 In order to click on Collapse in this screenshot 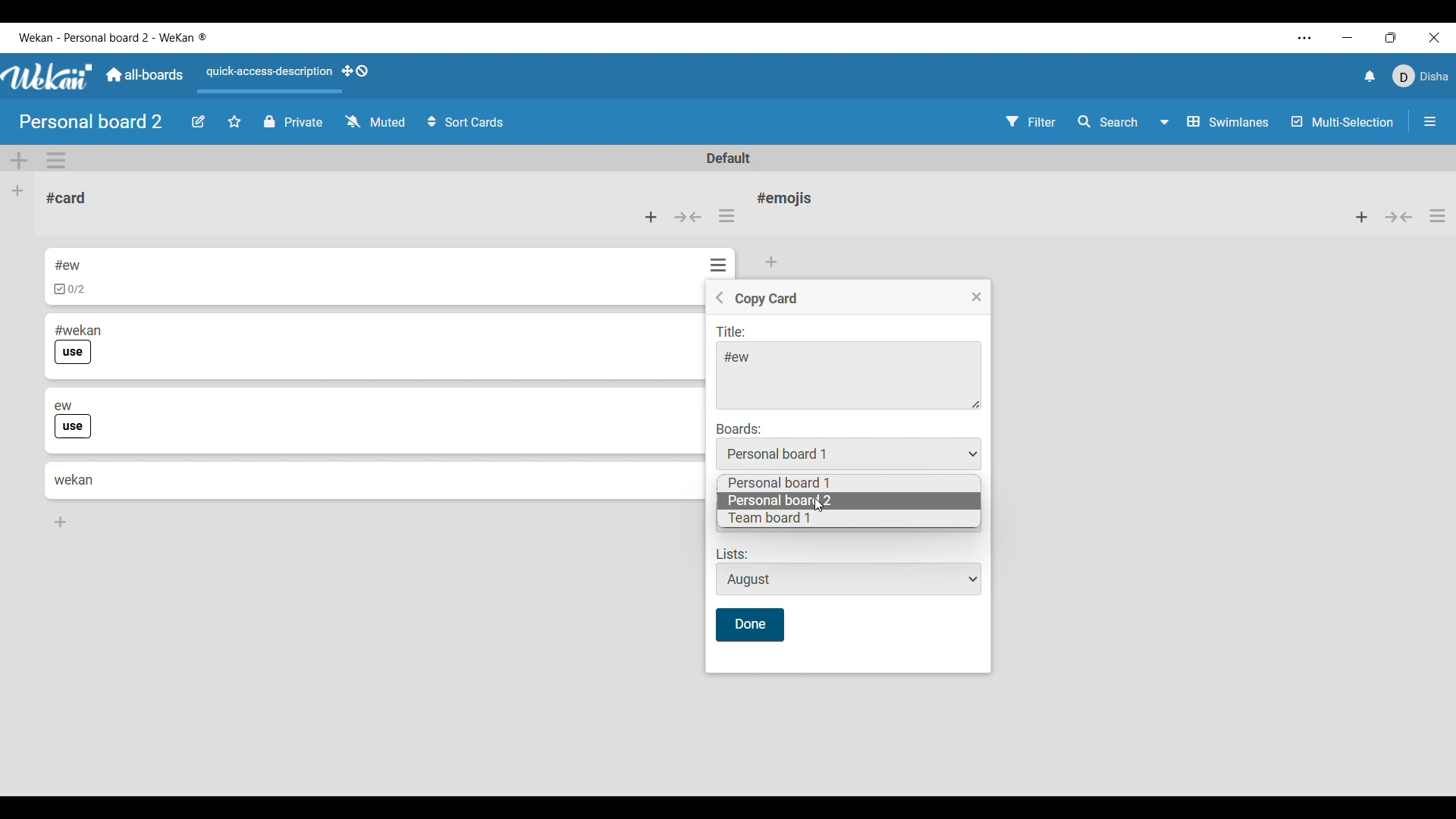, I will do `click(687, 218)`.